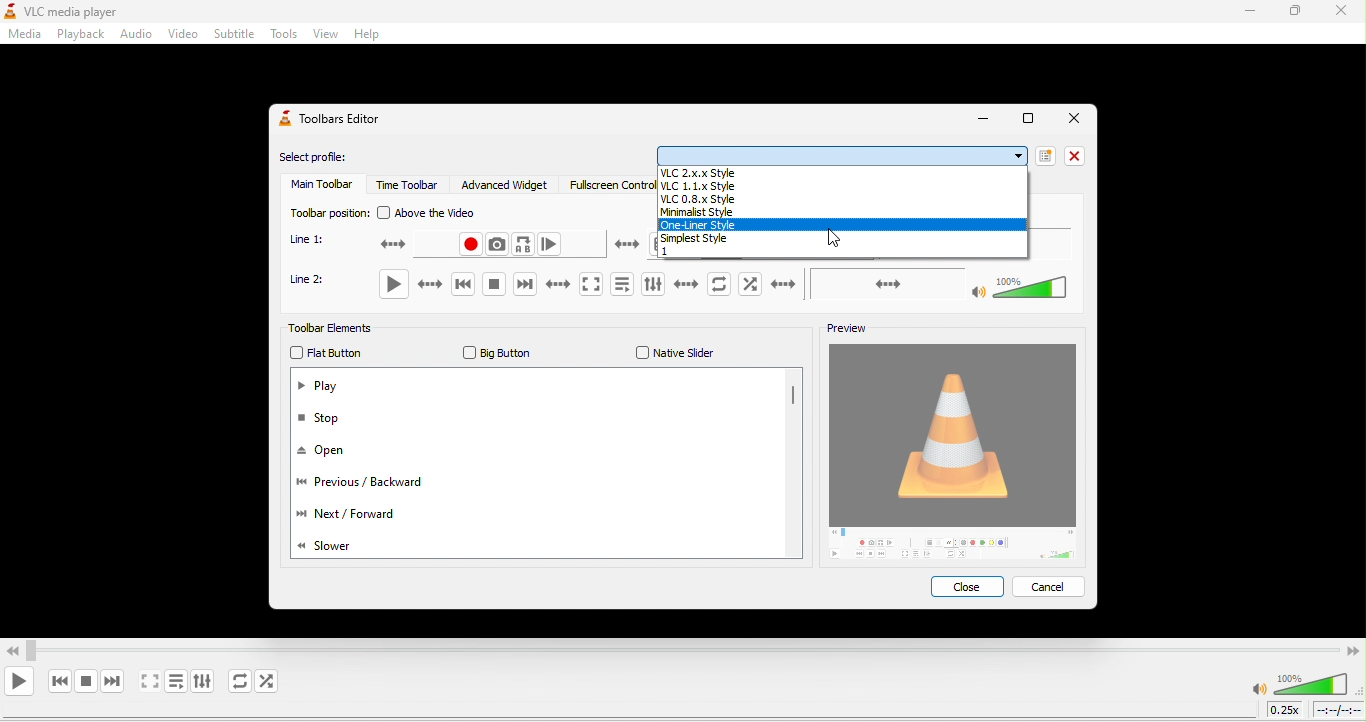 The height and width of the screenshot is (722, 1366). What do you see at coordinates (326, 384) in the screenshot?
I see `play` at bounding box center [326, 384].